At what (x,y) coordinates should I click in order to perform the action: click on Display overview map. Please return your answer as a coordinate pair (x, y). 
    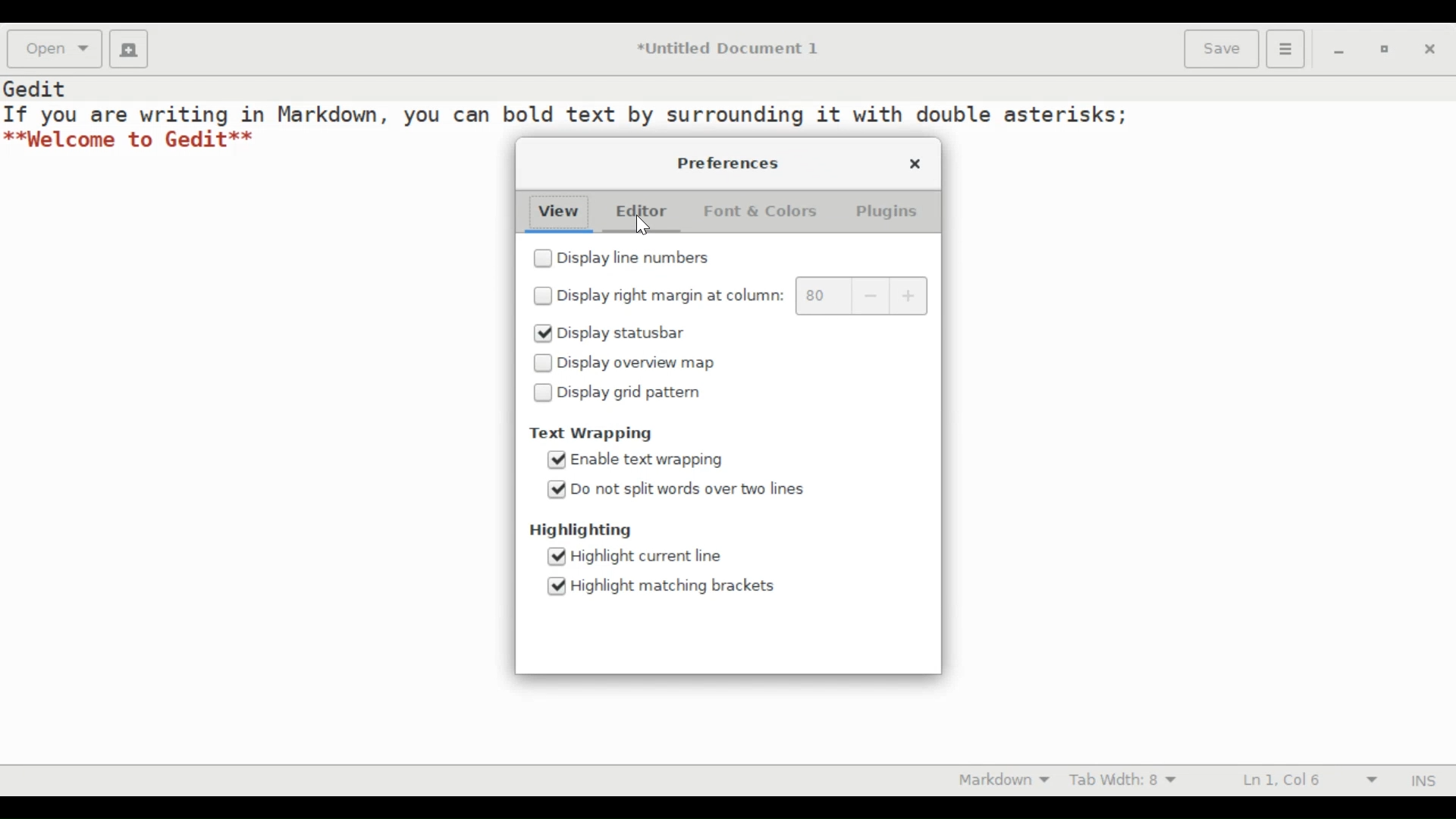
    Looking at the image, I should click on (639, 363).